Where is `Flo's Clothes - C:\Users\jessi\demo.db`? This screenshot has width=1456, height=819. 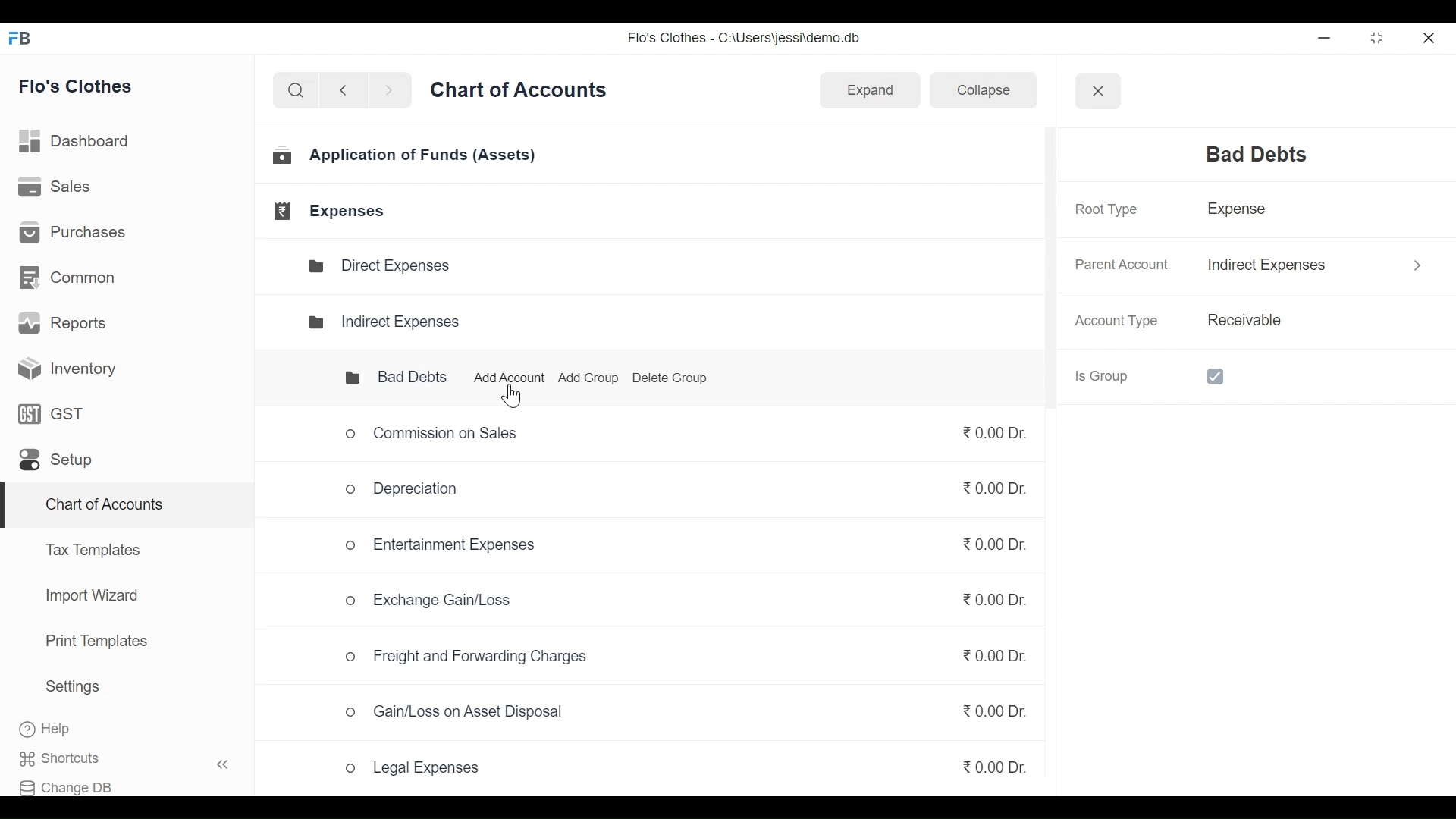
Flo's Clothes - C:\Users\jessi\demo.db is located at coordinates (746, 41).